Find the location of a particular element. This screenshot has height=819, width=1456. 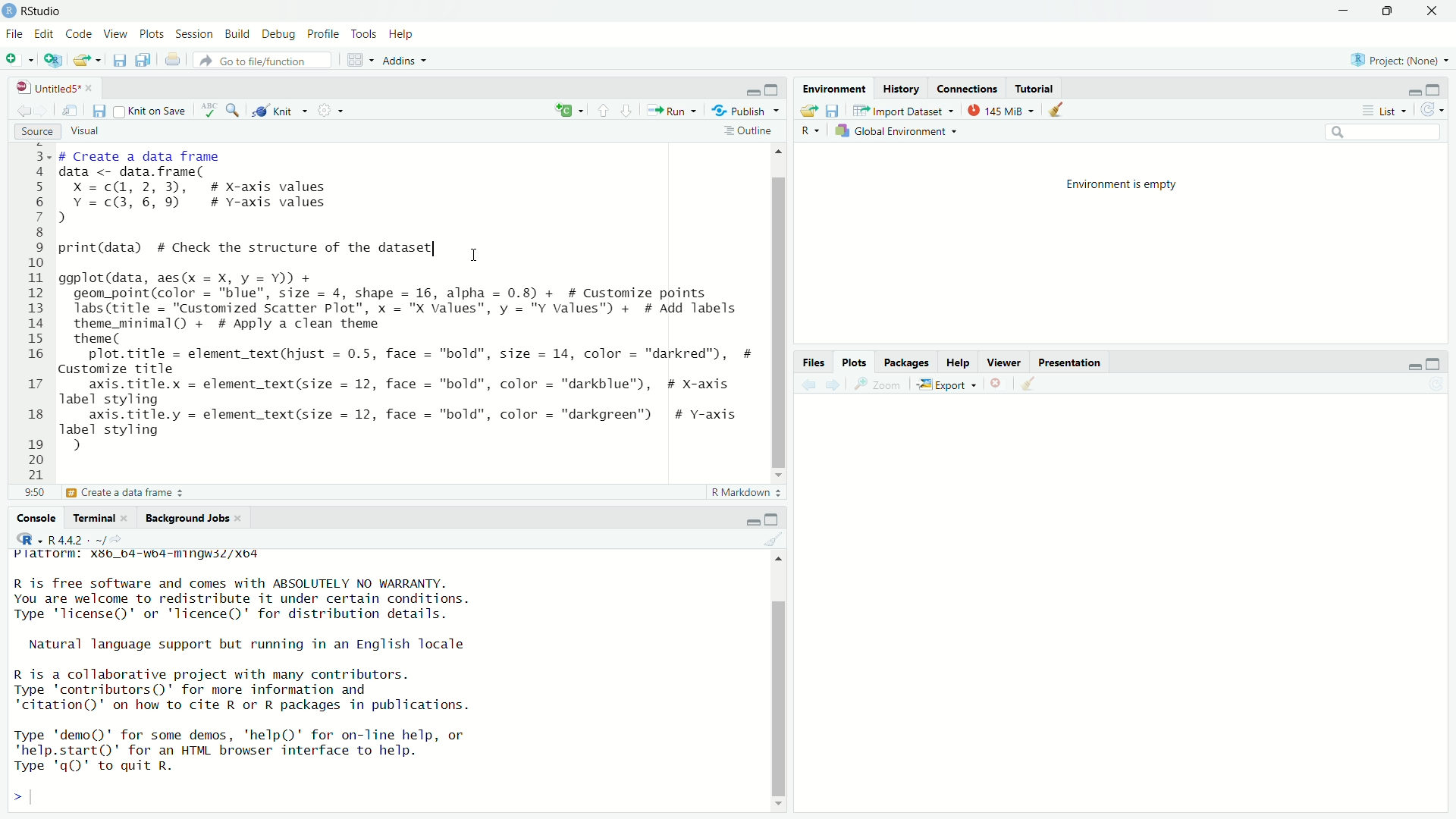

2:1:1 is located at coordinates (31, 493).